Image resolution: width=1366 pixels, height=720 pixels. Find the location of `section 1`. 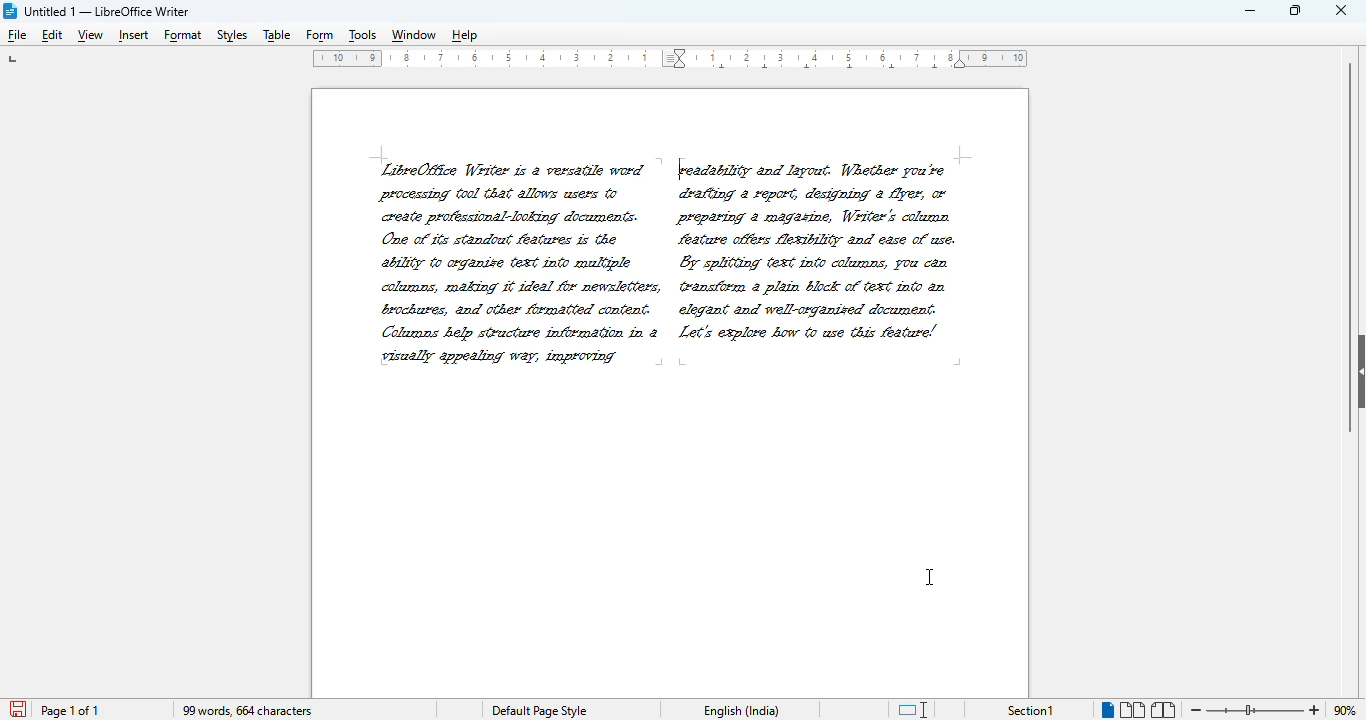

section 1 is located at coordinates (1031, 711).